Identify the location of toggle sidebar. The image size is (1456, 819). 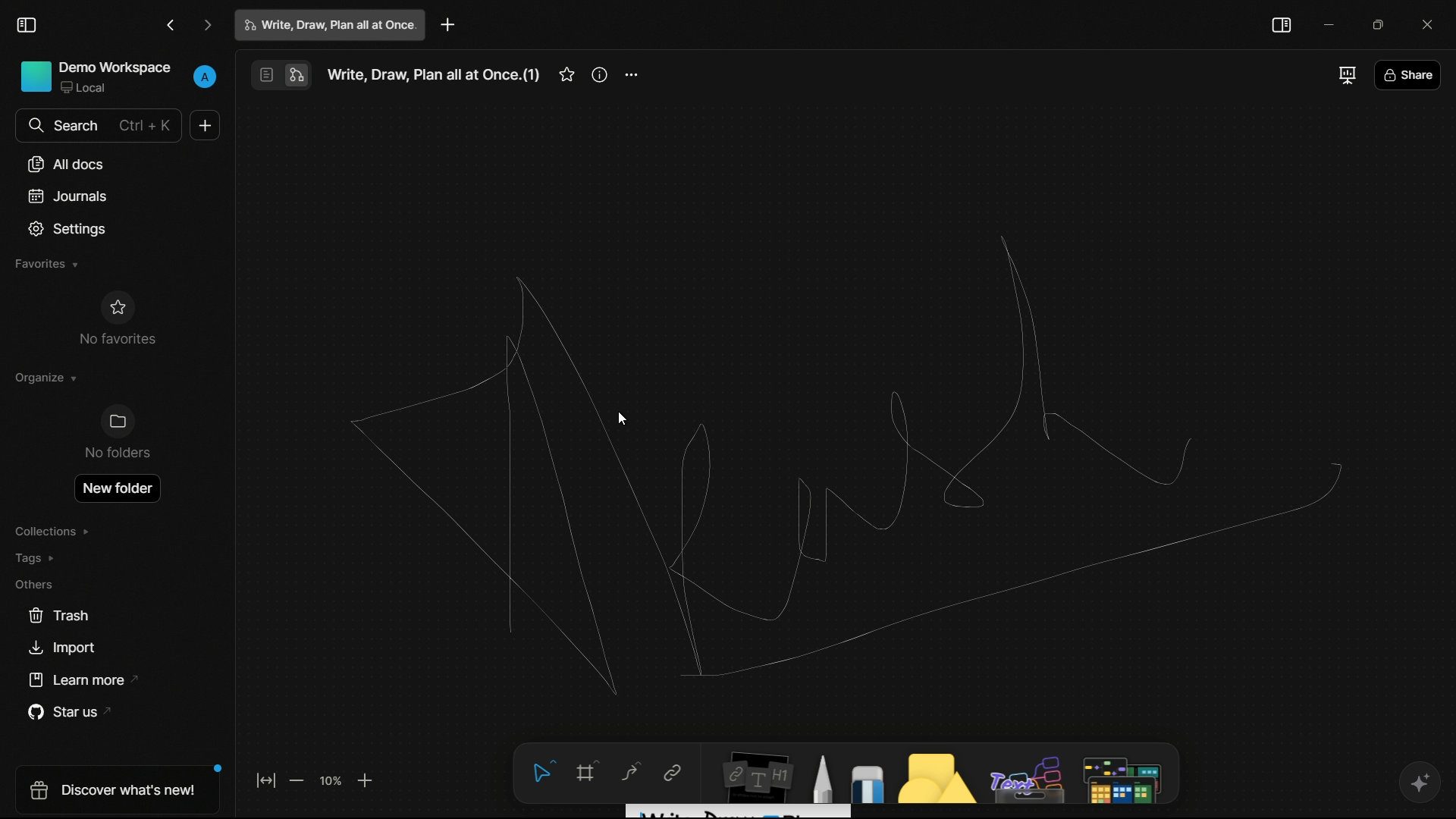
(1280, 27).